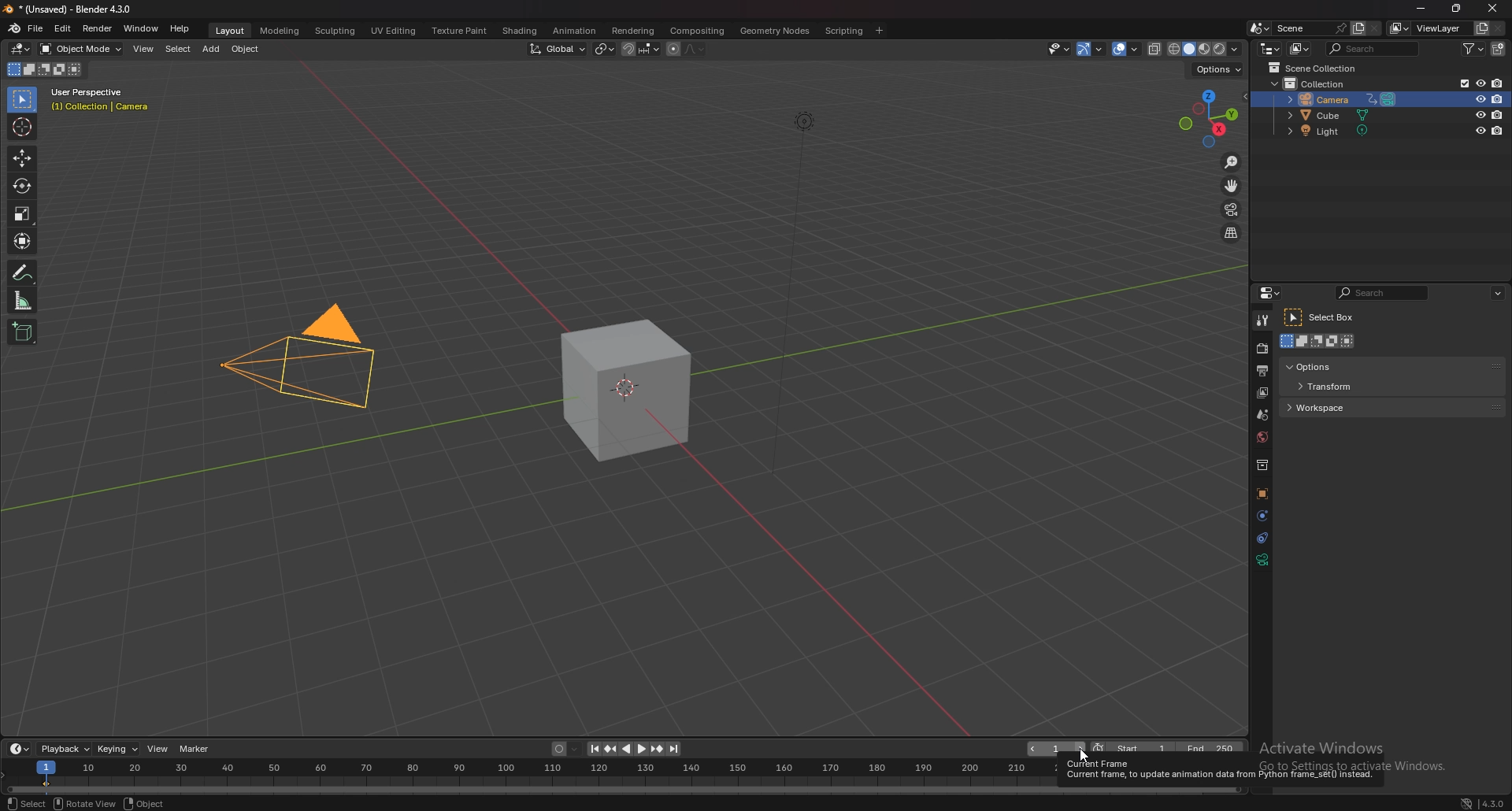 This screenshot has height=811, width=1512. Describe the element at coordinates (1338, 98) in the screenshot. I see `camera` at that location.